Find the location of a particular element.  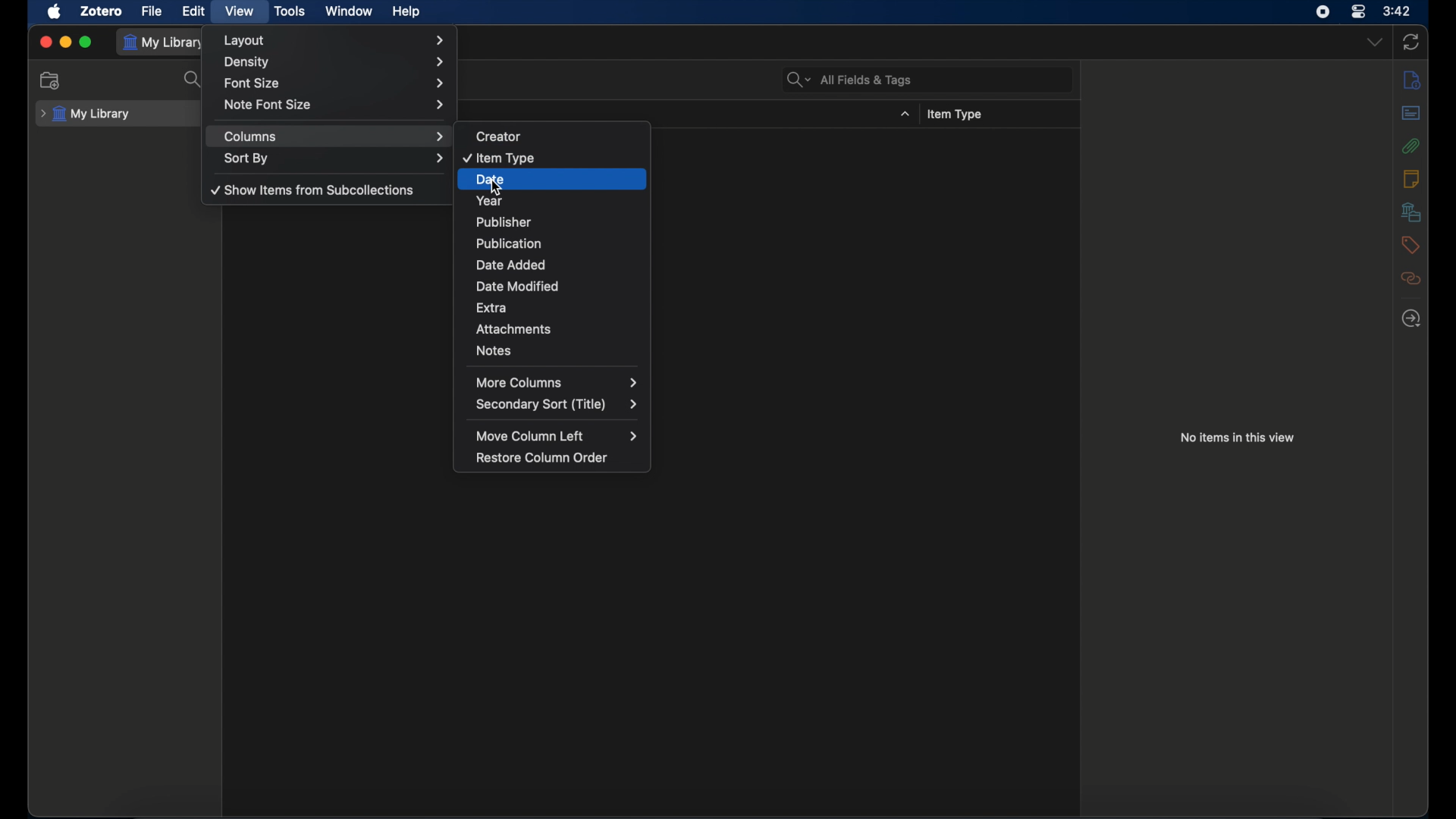

publisher is located at coordinates (552, 221).